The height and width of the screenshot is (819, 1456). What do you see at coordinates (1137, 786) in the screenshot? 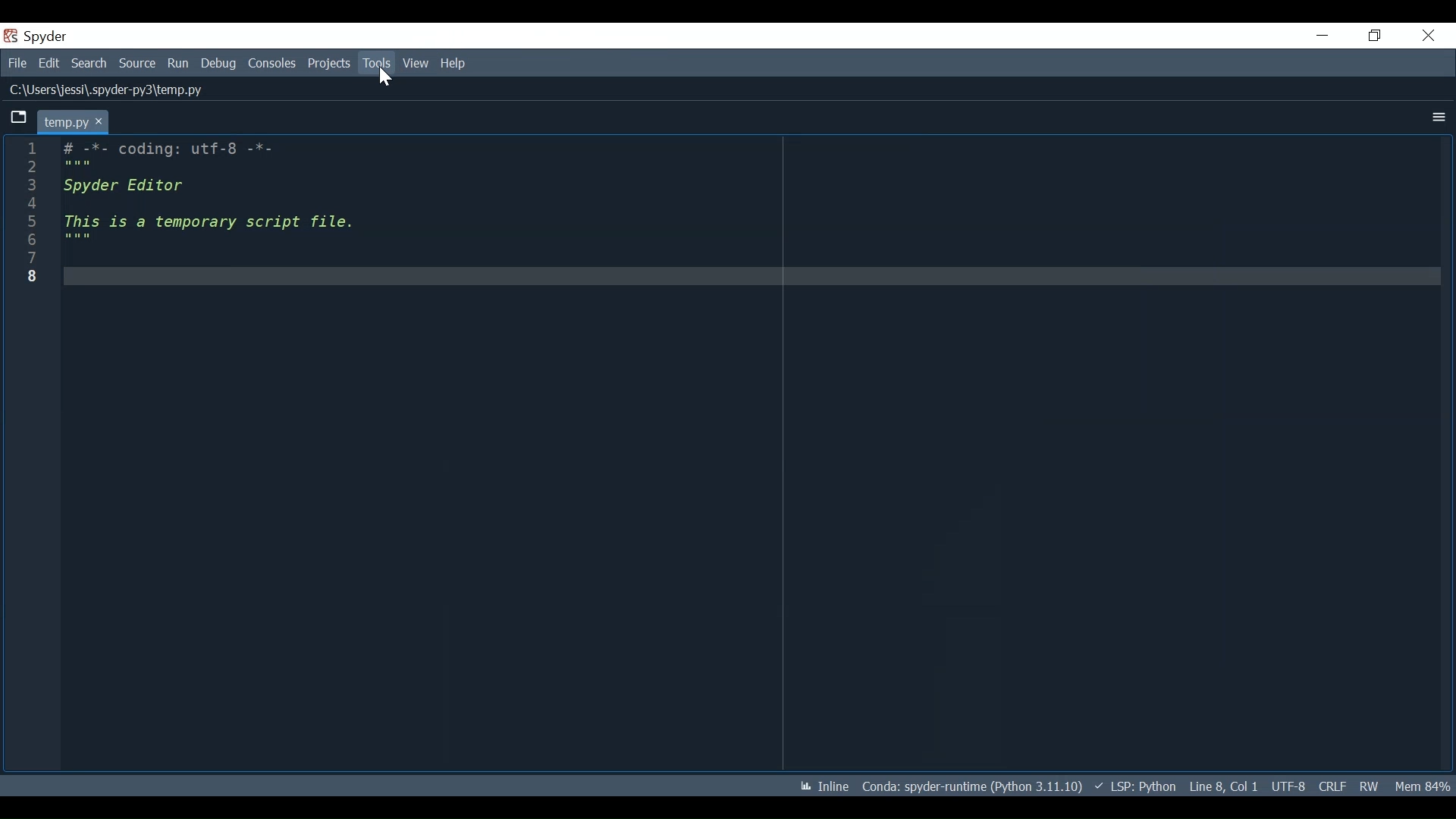
I see `Language` at bounding box center [1137, 786].